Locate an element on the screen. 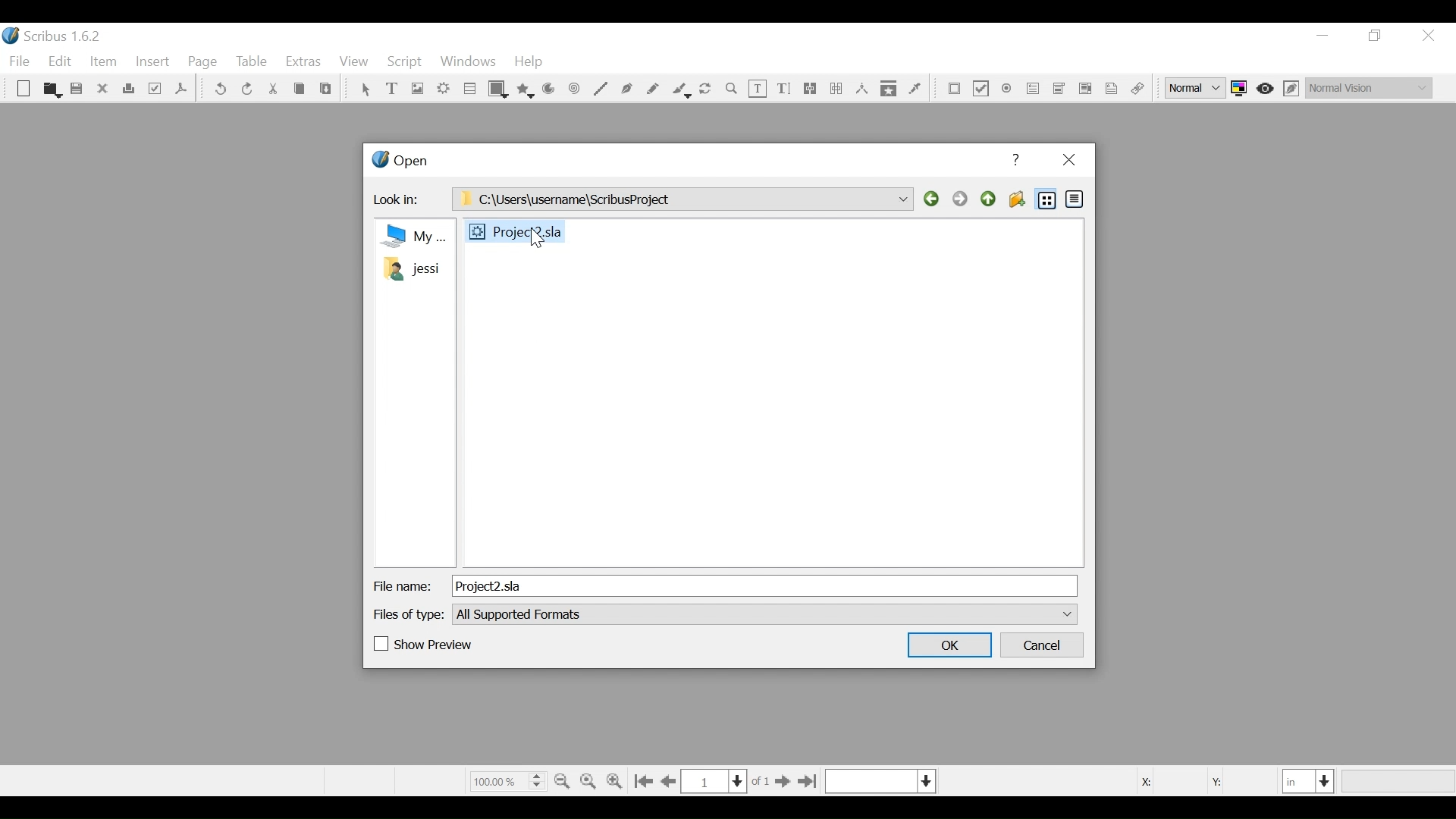 Image resolution: width=1456 pixels, height=819 pixels. Scribus Desktop Icon is located at coordinates (56, 38).